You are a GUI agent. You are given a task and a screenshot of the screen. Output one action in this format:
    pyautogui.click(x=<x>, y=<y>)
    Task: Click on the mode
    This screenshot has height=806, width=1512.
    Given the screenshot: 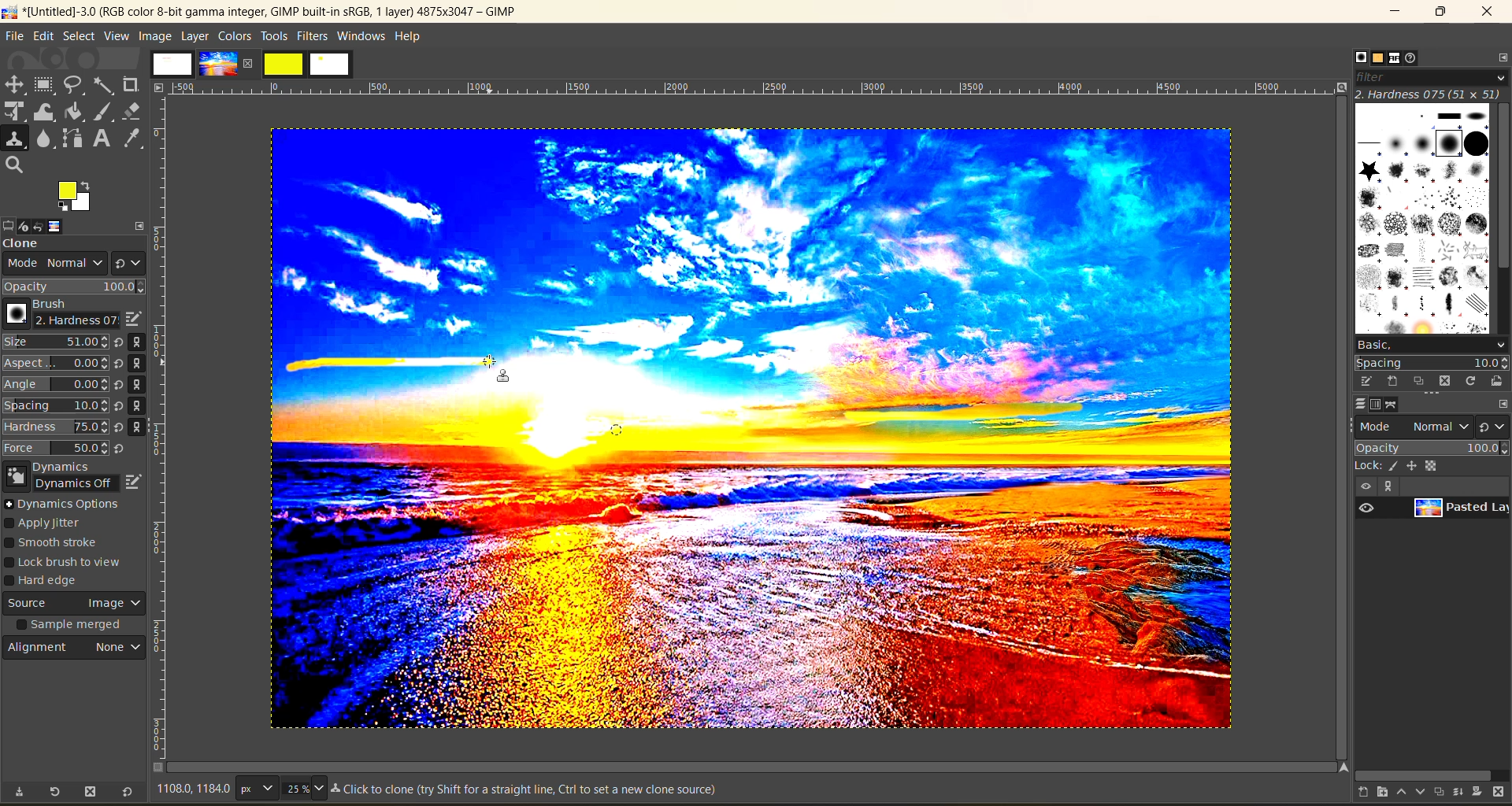 What is the action you would take?
    pyautogui.click(x=1415, y=425)
    